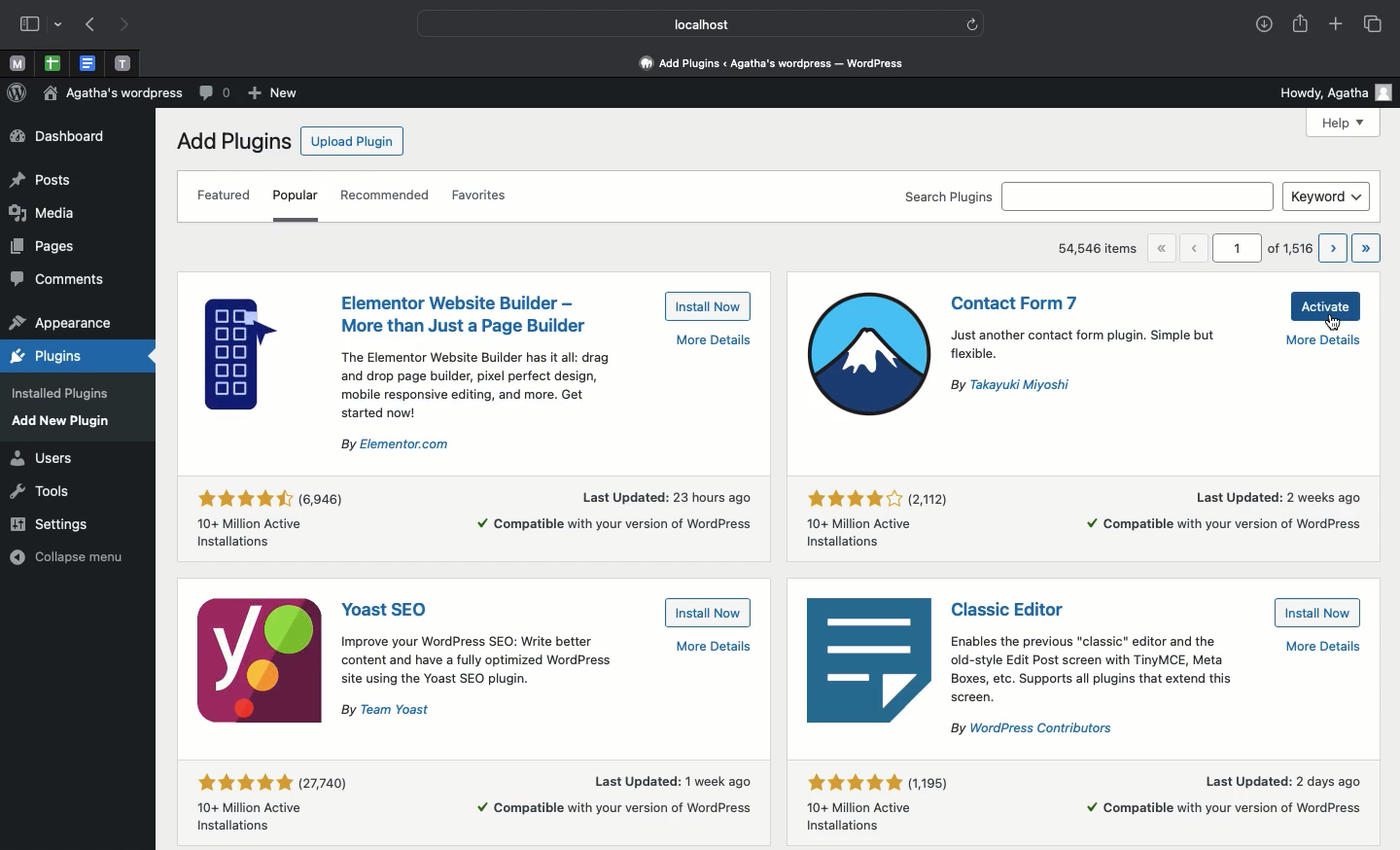 The image size is (1400, 850). I want to click on Previous page, so click(87, 25).